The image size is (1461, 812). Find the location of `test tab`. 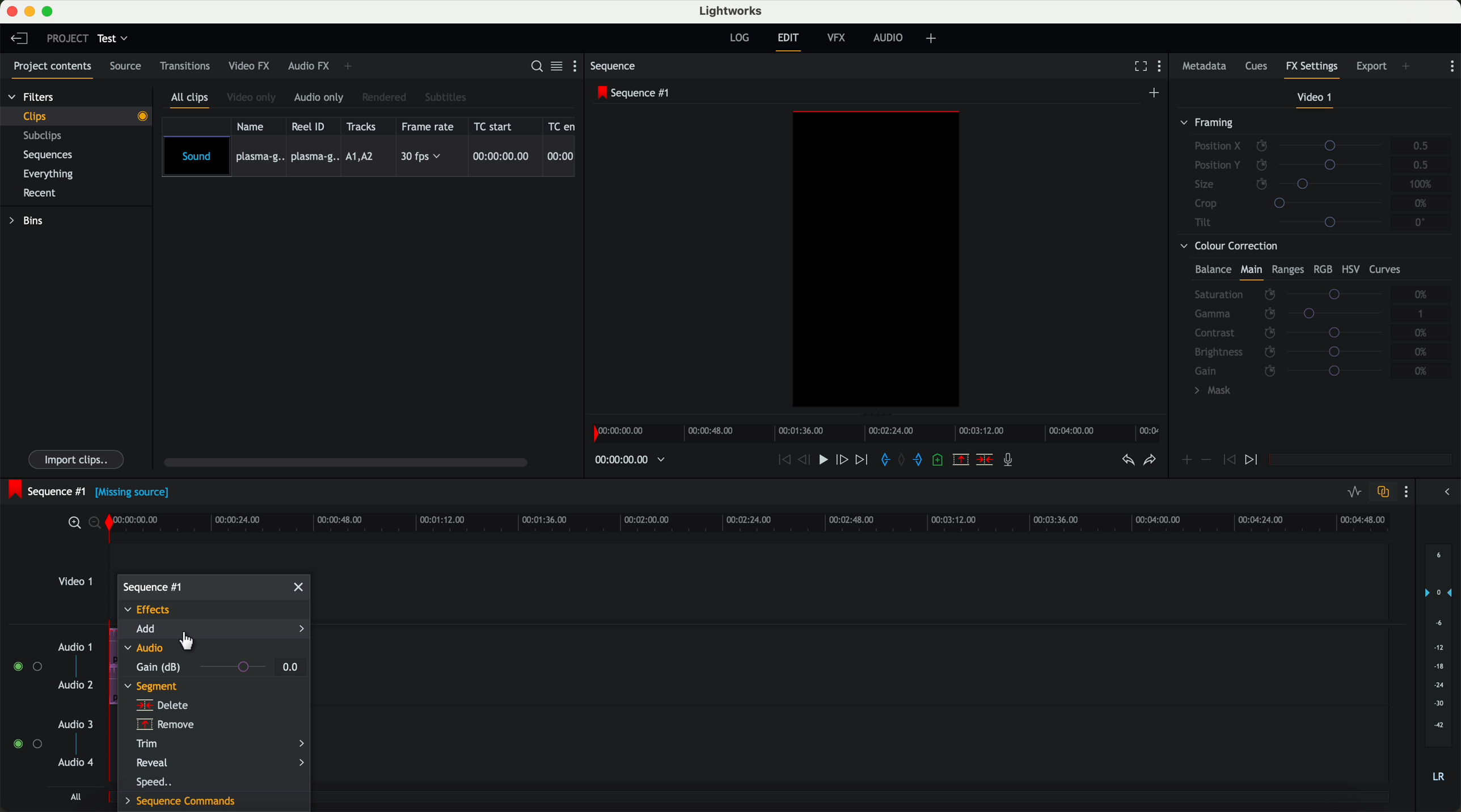

test tab is located at coordinates (114, 36).